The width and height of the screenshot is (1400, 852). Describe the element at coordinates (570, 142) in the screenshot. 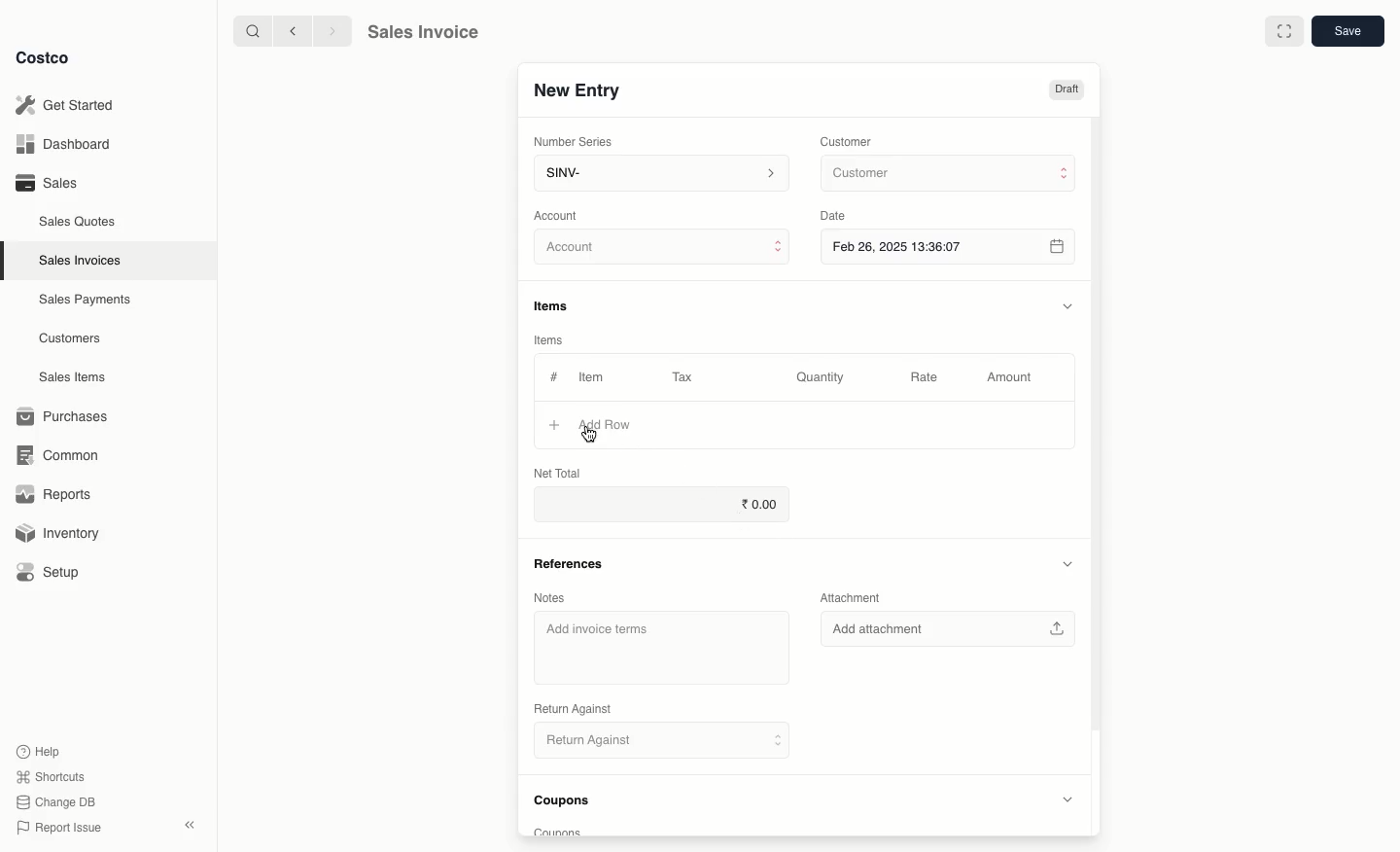

I see `‘Number Series` at that location.